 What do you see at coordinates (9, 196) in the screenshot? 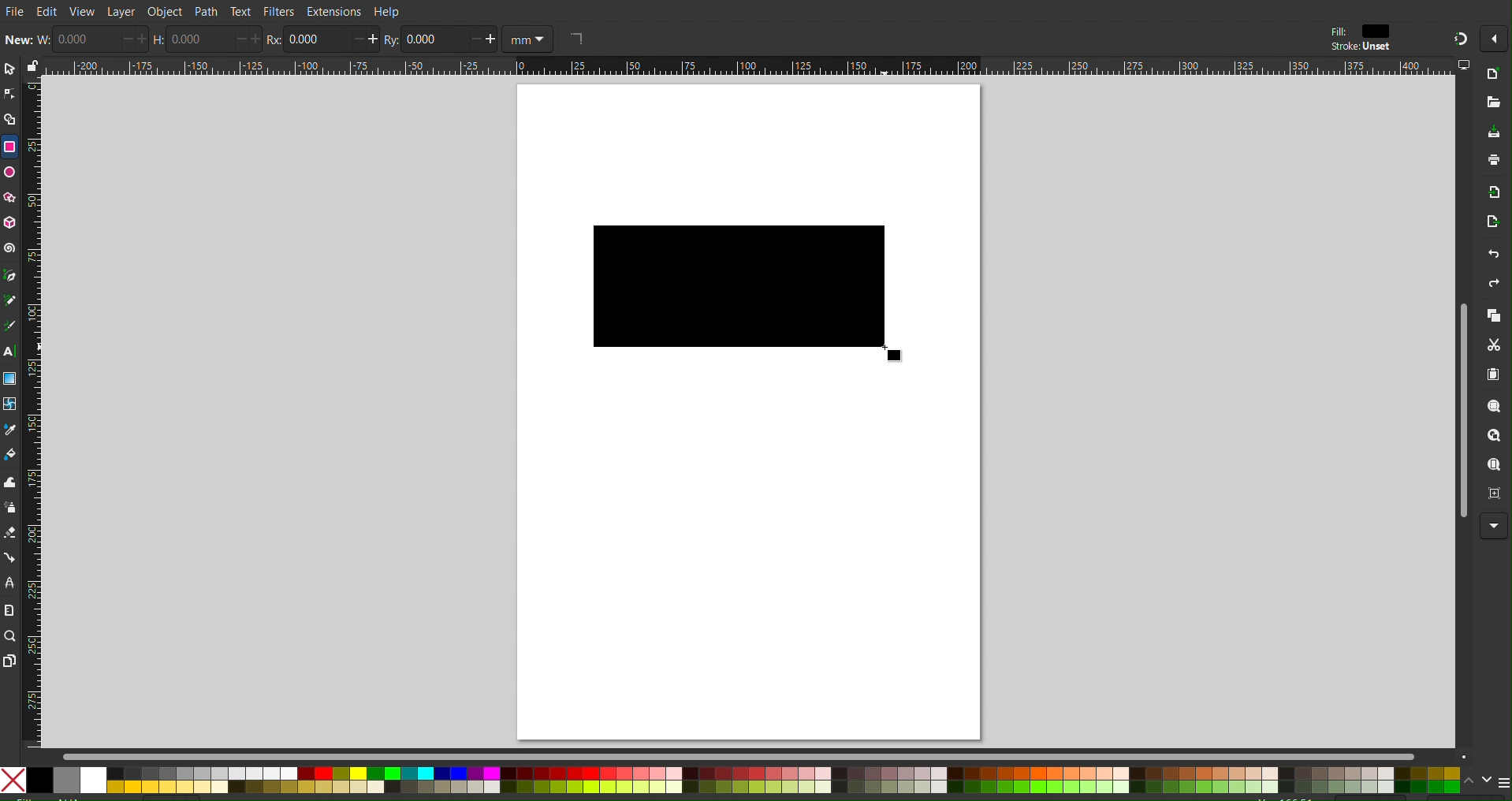
I see `Polygon` at bounding box center [9, 196].